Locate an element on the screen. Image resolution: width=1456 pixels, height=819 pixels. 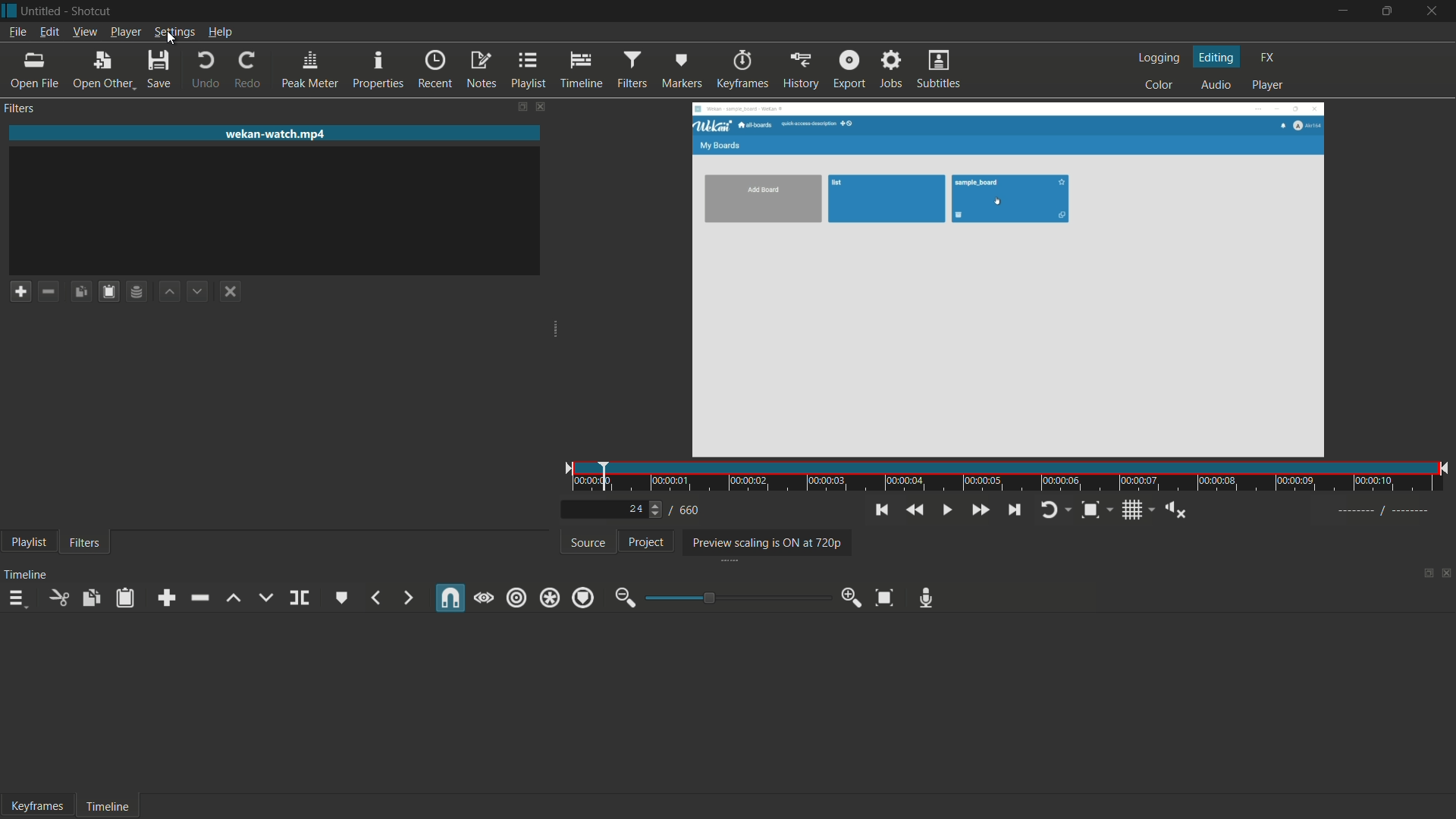
keyframes is located at coordinates (39, 807).